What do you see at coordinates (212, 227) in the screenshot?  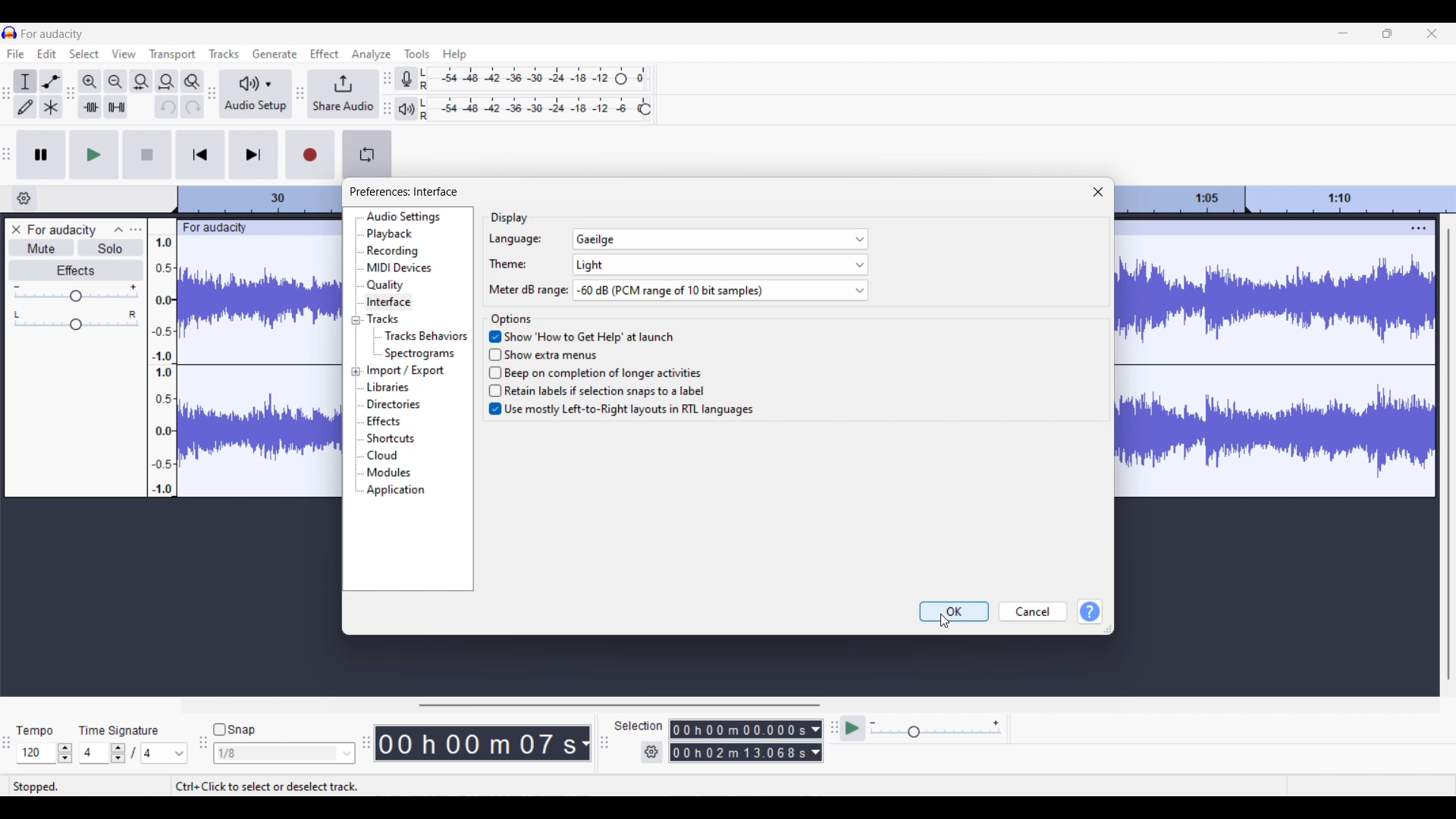 I see `for audacity` at bounding box center [212, 227].